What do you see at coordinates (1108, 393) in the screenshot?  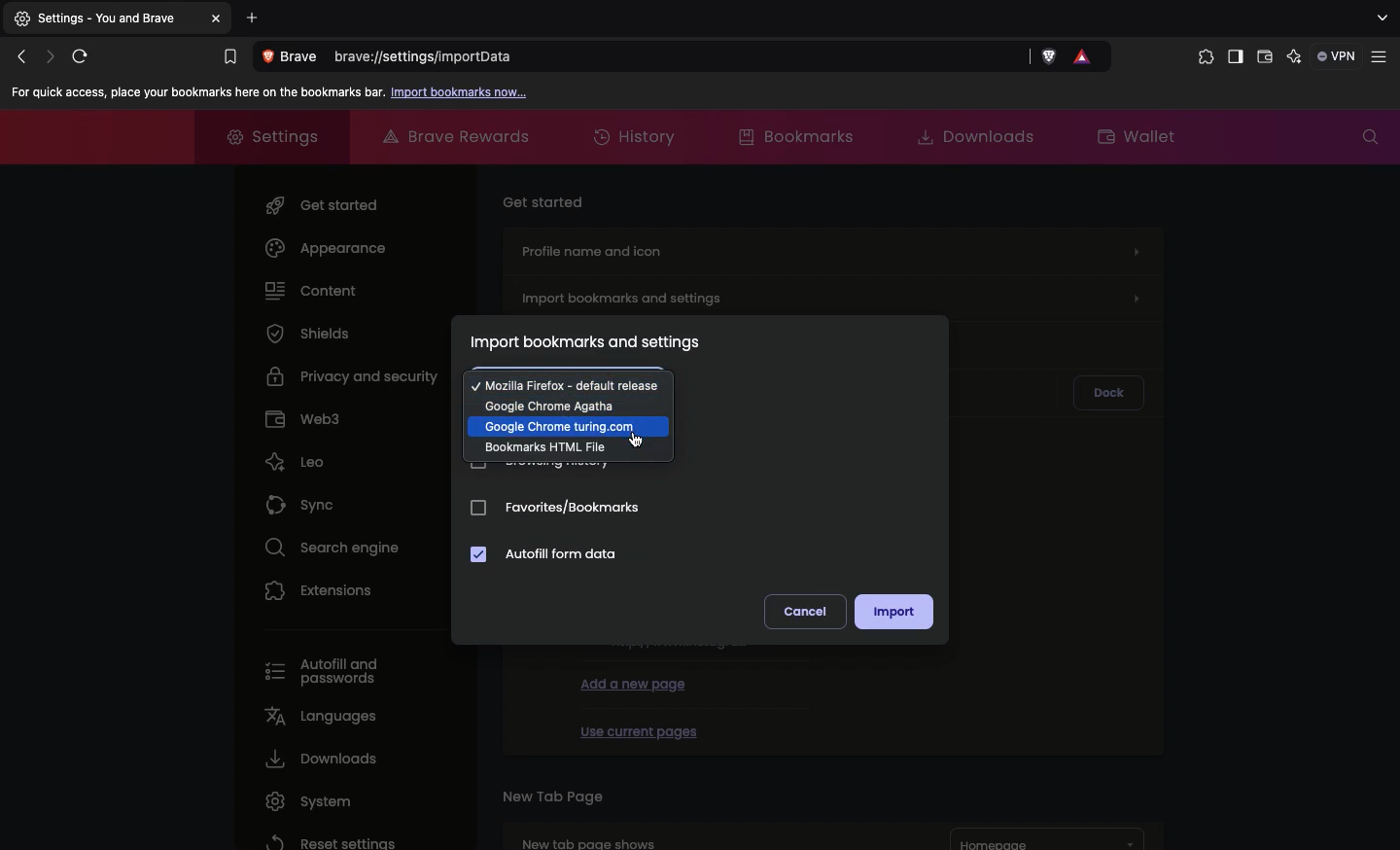 I see `Dock` at bounding box center [1108, 393].